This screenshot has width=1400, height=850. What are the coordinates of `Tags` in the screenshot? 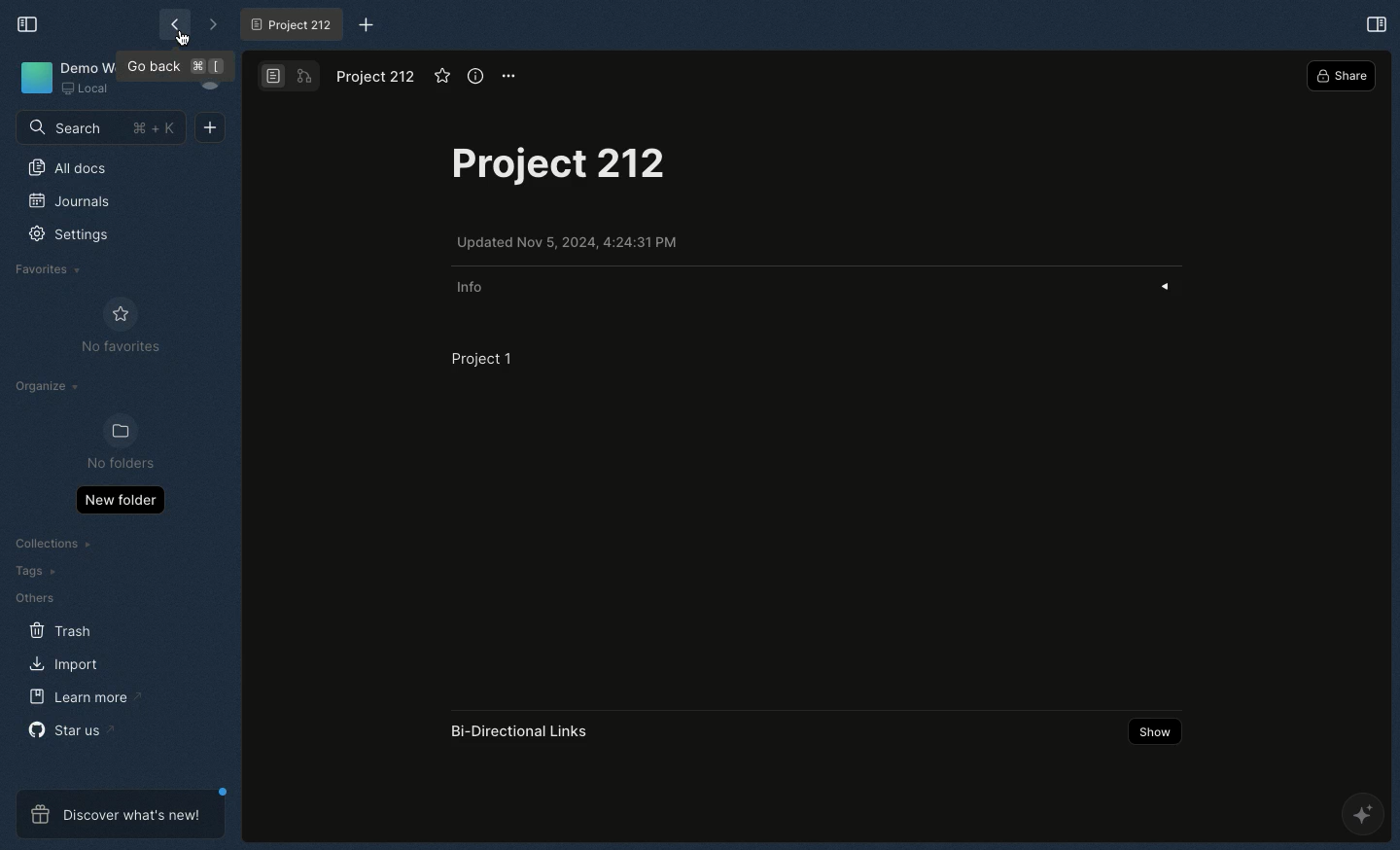 It's located at (34, 571).